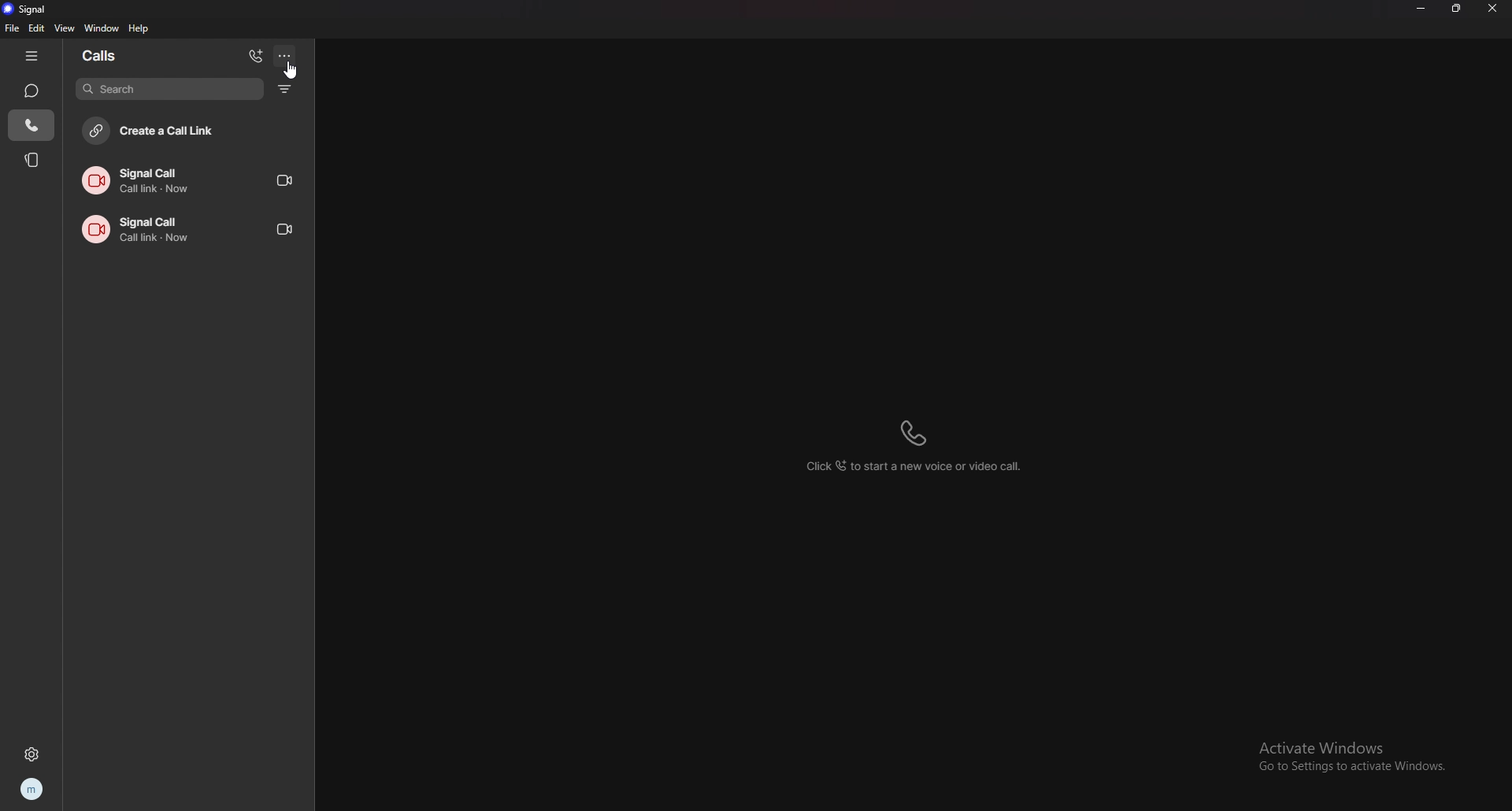 The height and width of the screenshot is (811, 1512). I want to click on search, so click(169, 90).